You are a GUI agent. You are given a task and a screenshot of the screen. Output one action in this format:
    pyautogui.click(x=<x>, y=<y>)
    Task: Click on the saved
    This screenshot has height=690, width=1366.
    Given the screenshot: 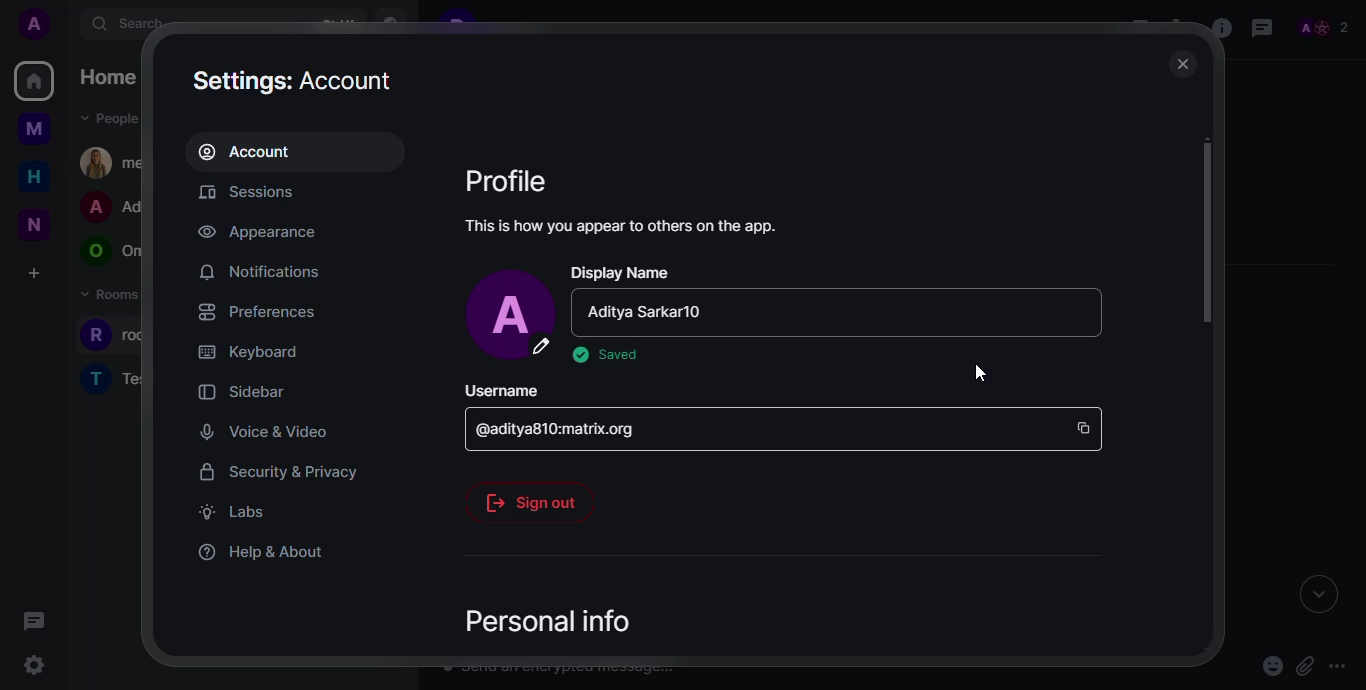 What is the action you would take?
    pyautogui.click(x=606, y=355)
    